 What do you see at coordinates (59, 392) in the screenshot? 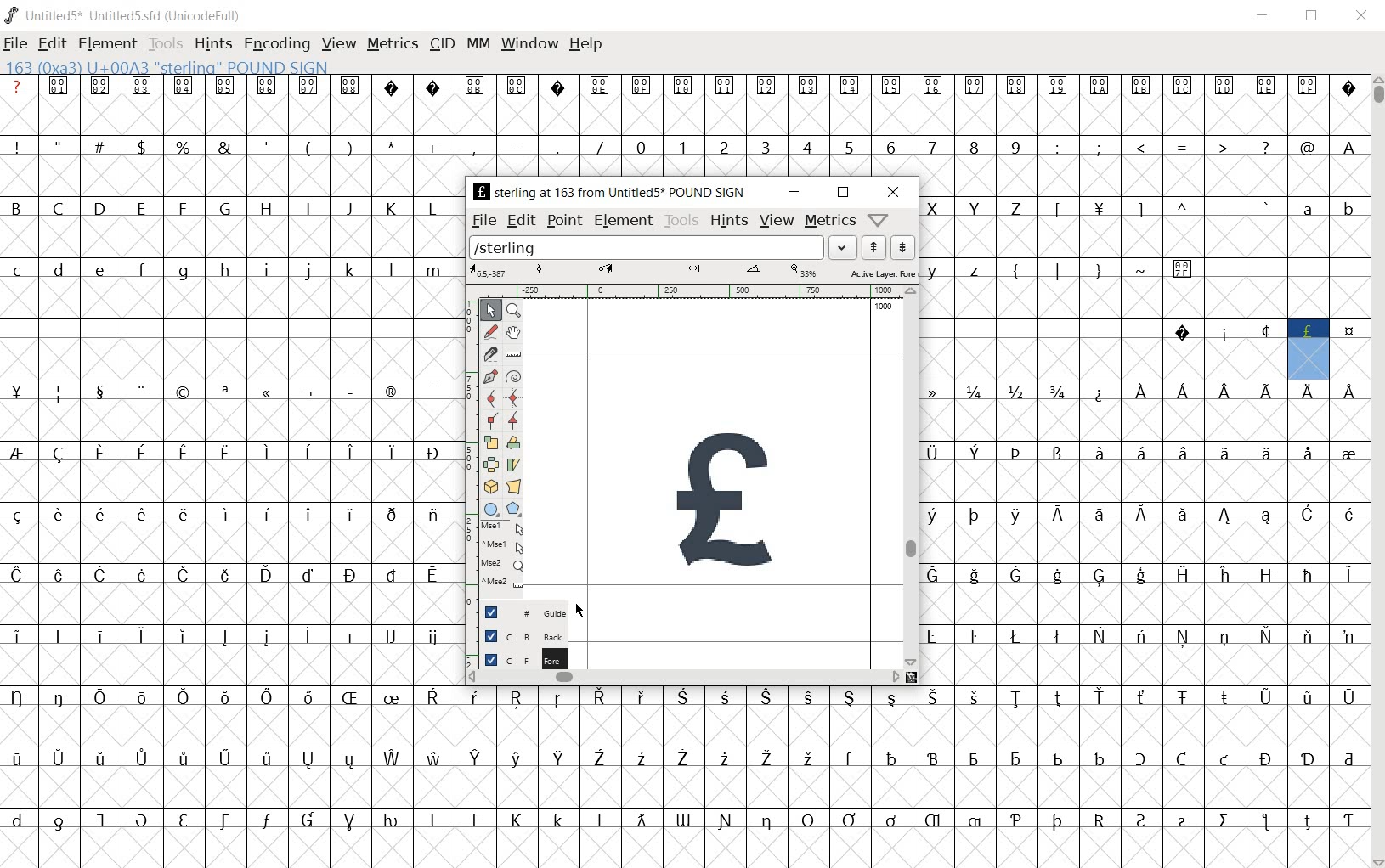
I see `Symbol` at bounding box center [59, 392].